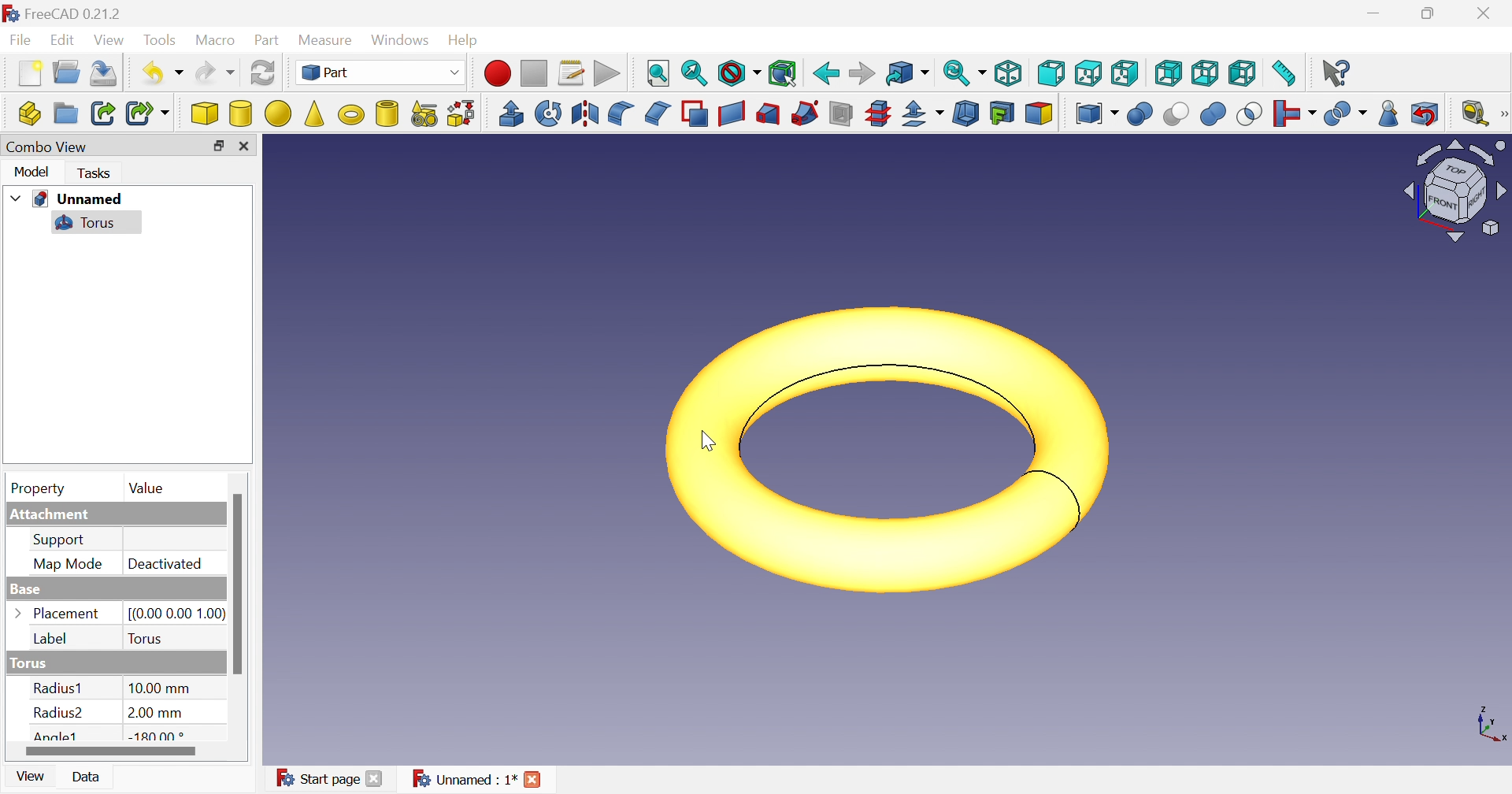 This screenshot has width=1512, height=794. I want to click on Model, so click(30, 173).